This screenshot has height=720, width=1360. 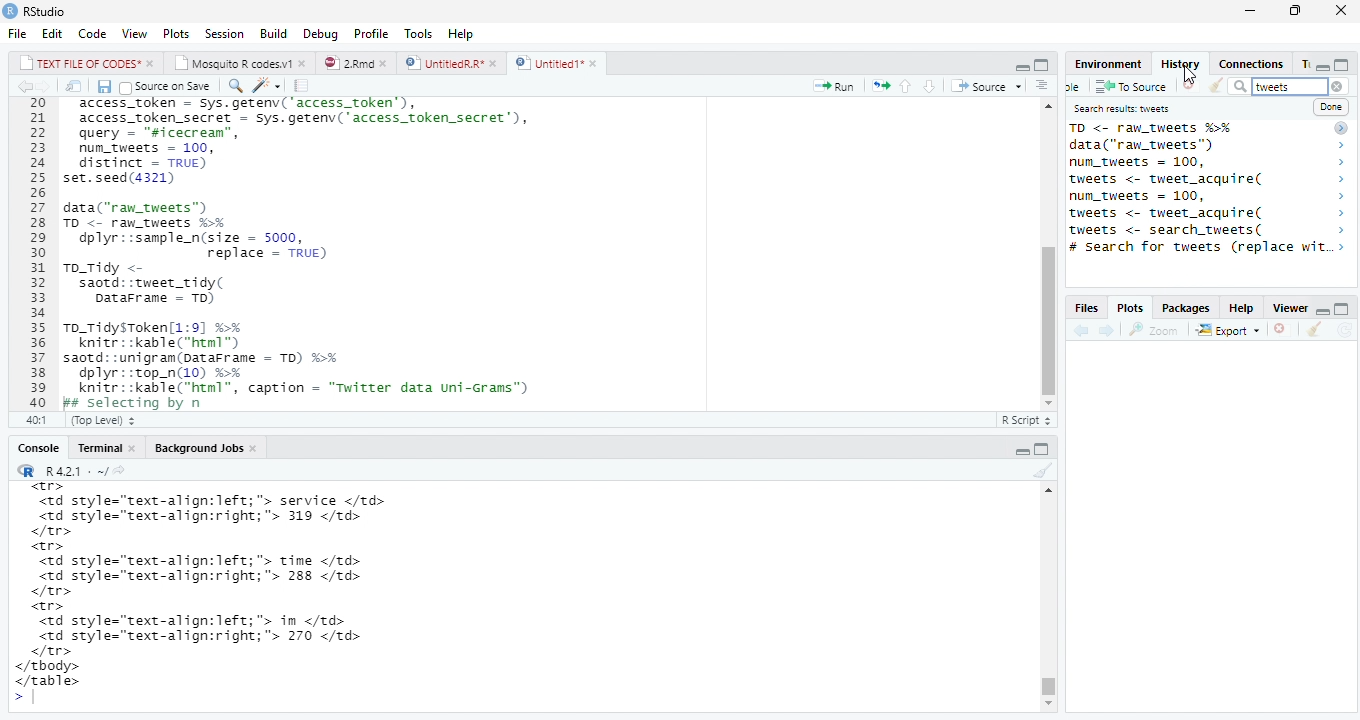 What do you see at coordinates (92, 33) in the screenshot?
I see `Code` at bounding box center [92, 33].